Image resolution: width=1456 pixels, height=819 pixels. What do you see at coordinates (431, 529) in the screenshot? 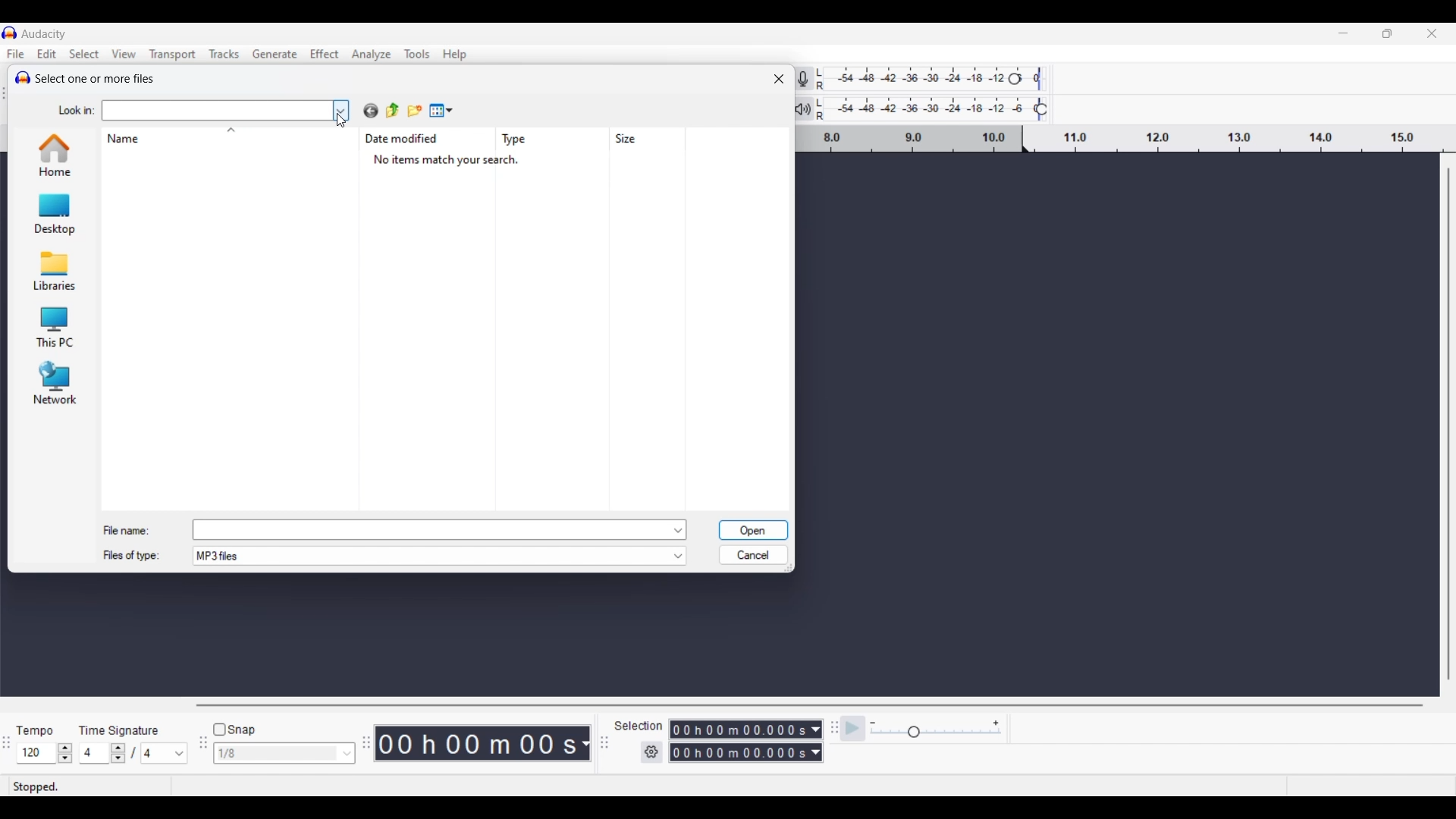
I see `Type in file name` at bounding box center [431, 529].